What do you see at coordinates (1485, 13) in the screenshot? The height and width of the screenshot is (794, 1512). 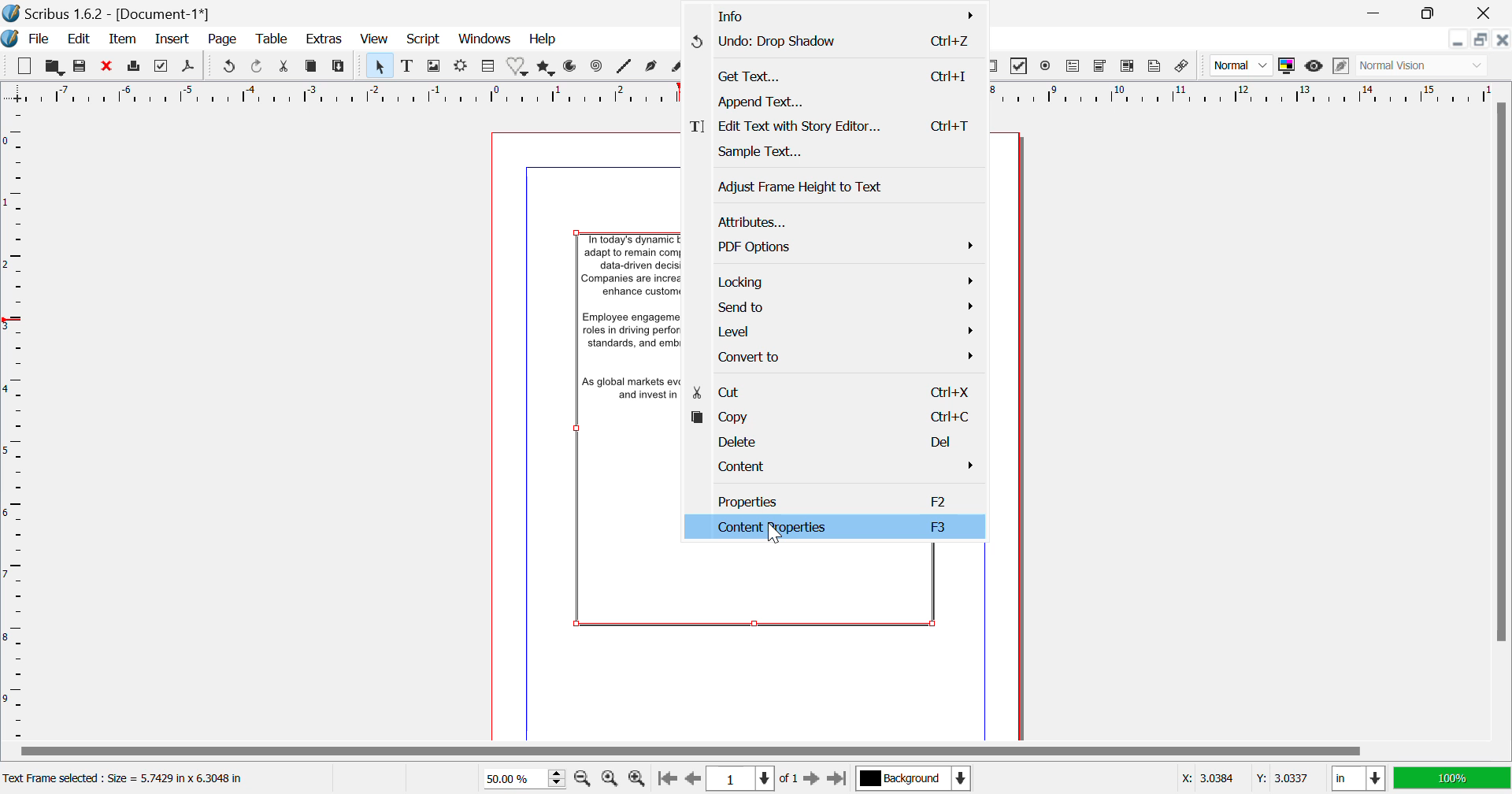 I see `Close` at bounding box center [1485, 13].